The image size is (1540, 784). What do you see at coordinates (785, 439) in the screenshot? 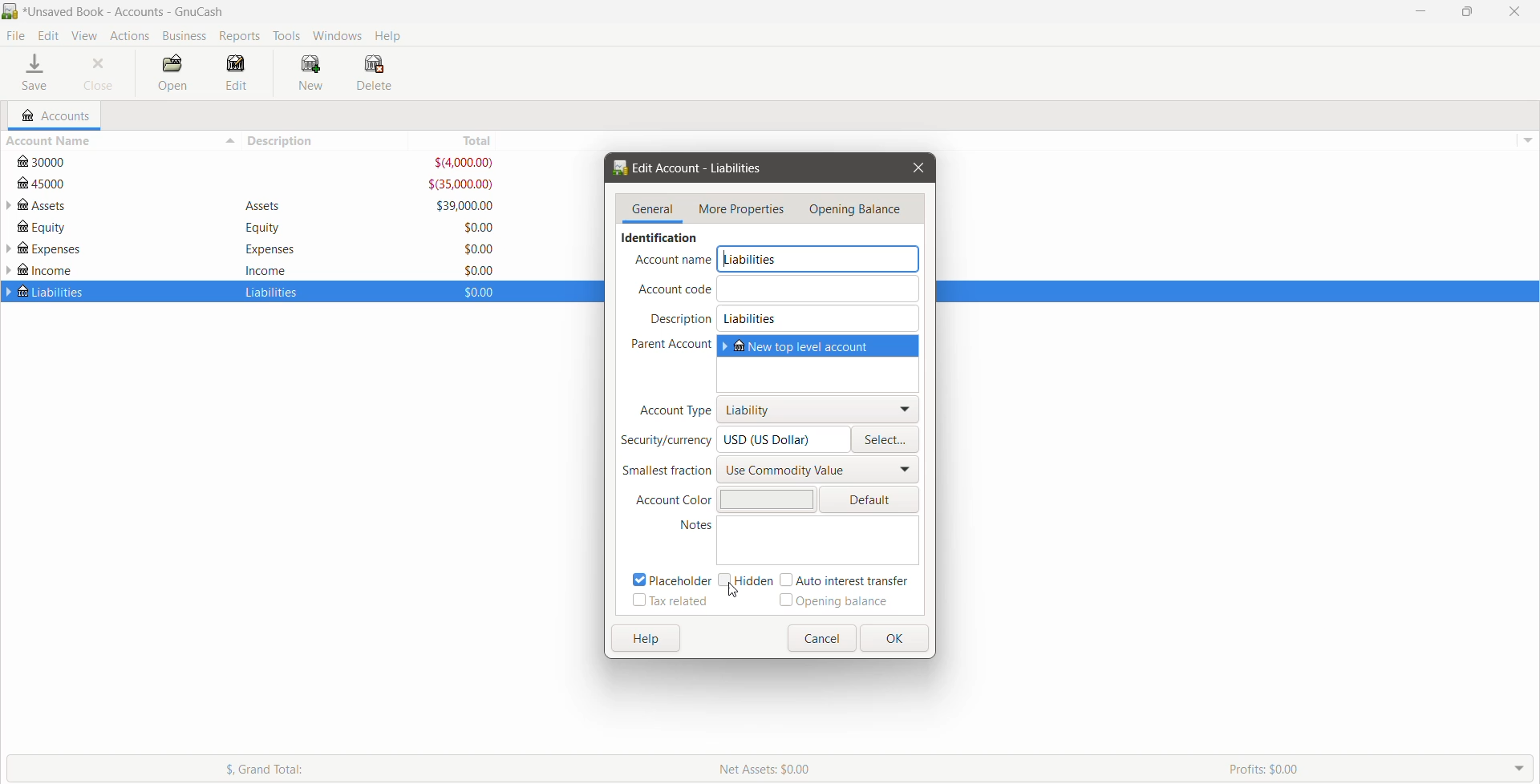
I see `Set currency` at bounding box center [785, 439].